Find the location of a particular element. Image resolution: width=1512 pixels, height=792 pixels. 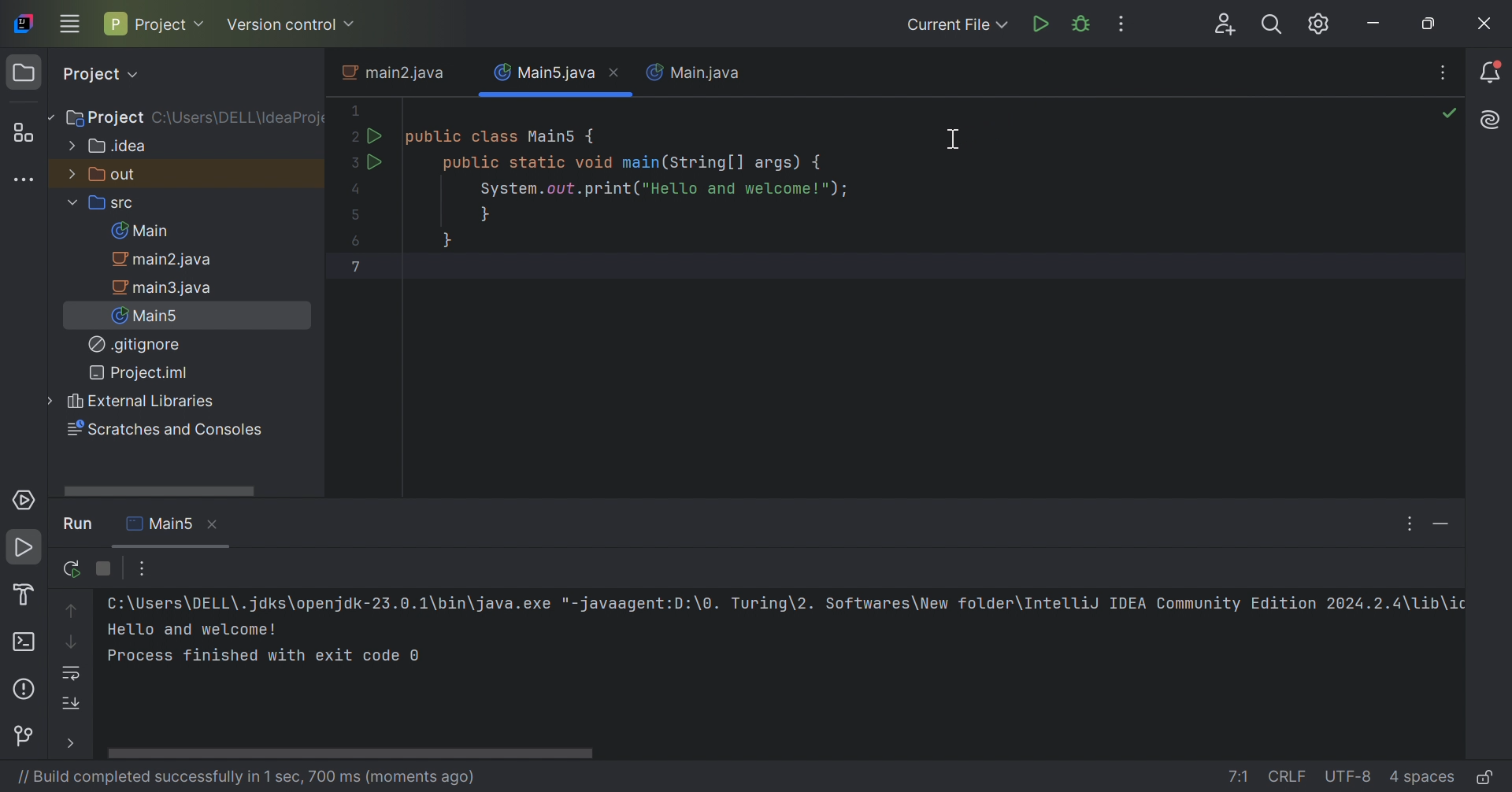

Terminal is located at coordinates (28, 644).